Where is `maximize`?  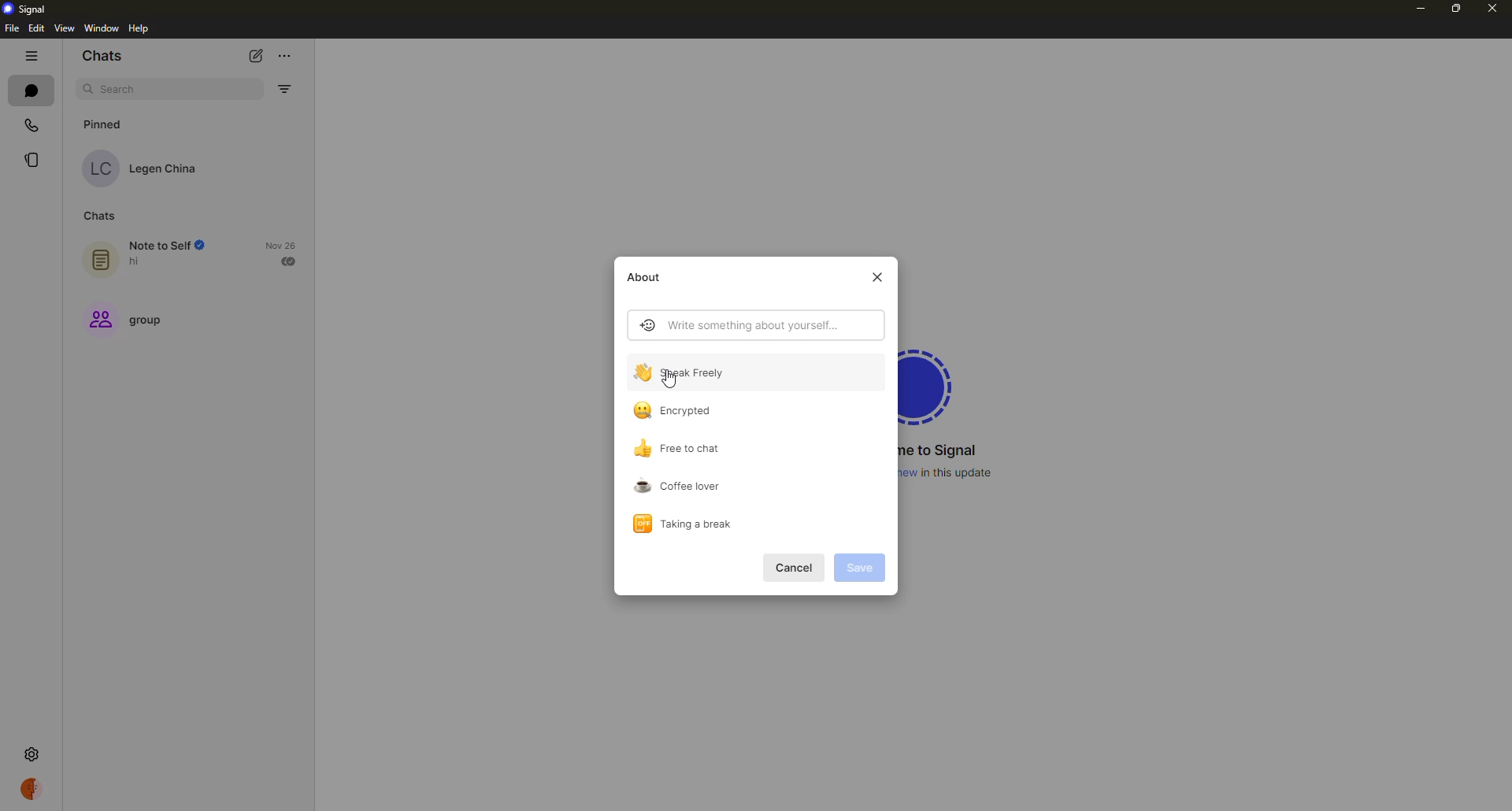 maximize is located at coordinates (1454, 9).